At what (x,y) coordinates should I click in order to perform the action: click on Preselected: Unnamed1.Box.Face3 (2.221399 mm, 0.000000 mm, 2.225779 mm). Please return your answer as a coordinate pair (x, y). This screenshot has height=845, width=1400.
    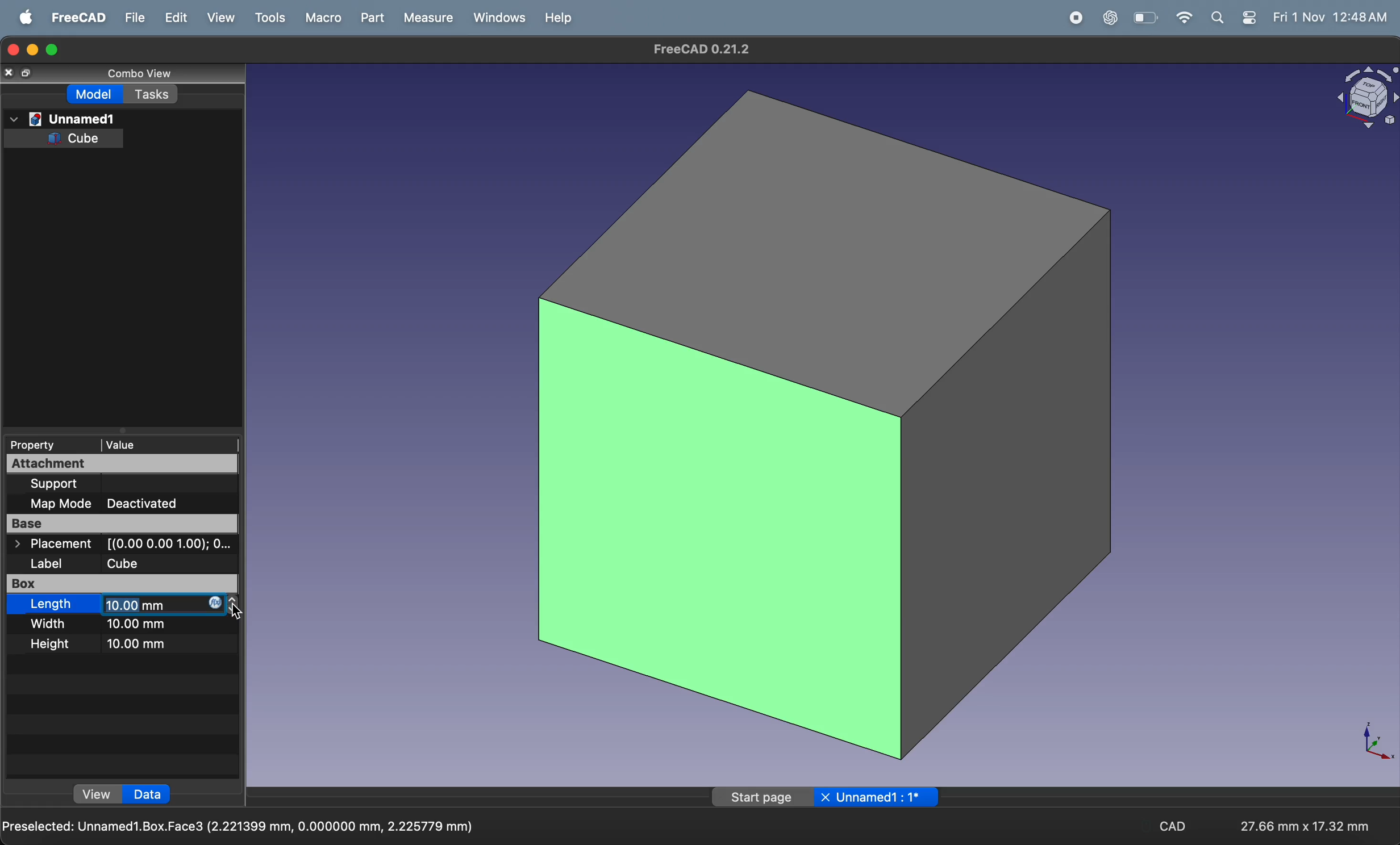
    Looking at the image, I should click on (240, 826).